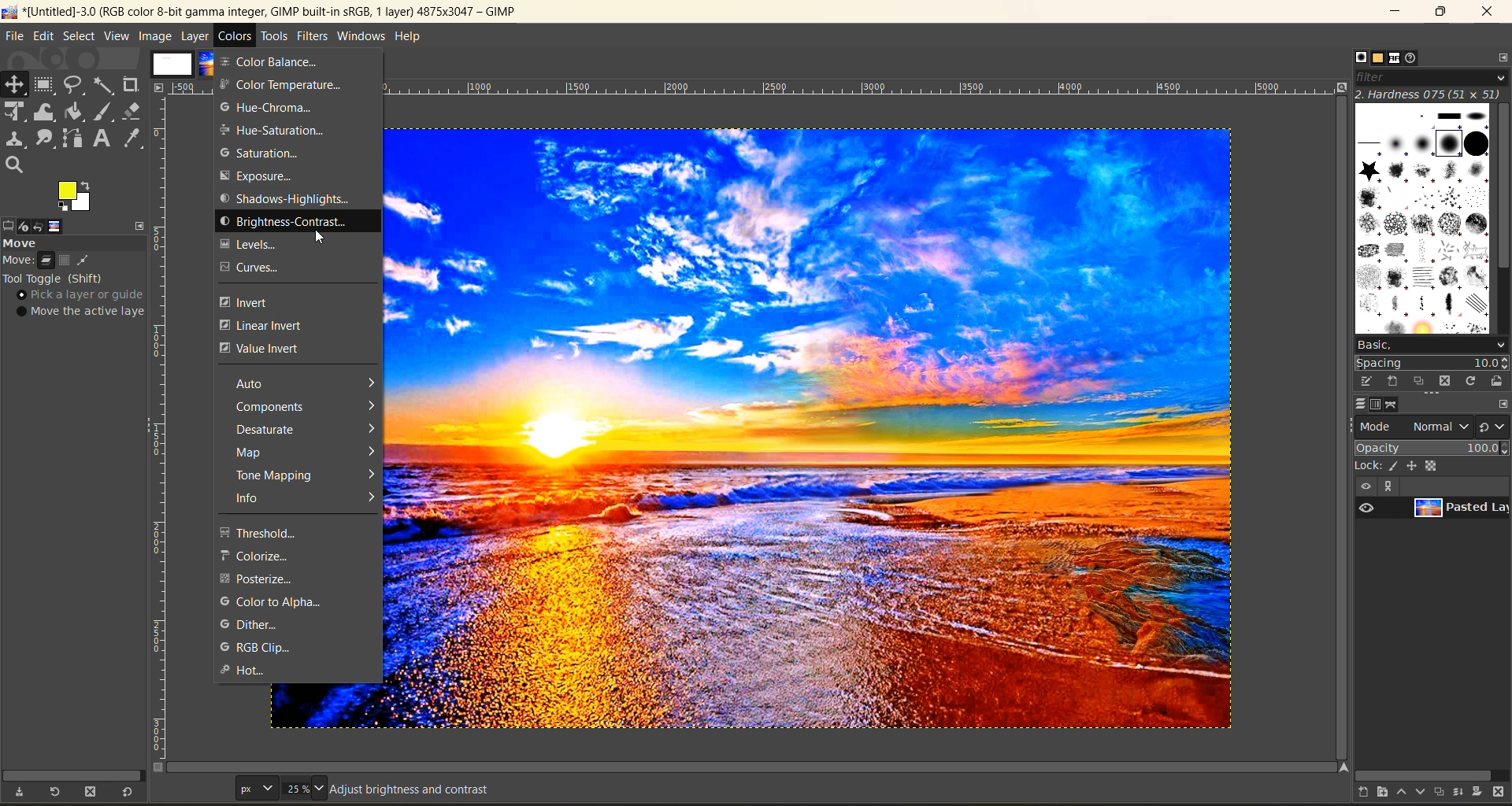  Describe the element at coordinates (1494, 430) in the screenshot. I see `switch to another group` at that location.